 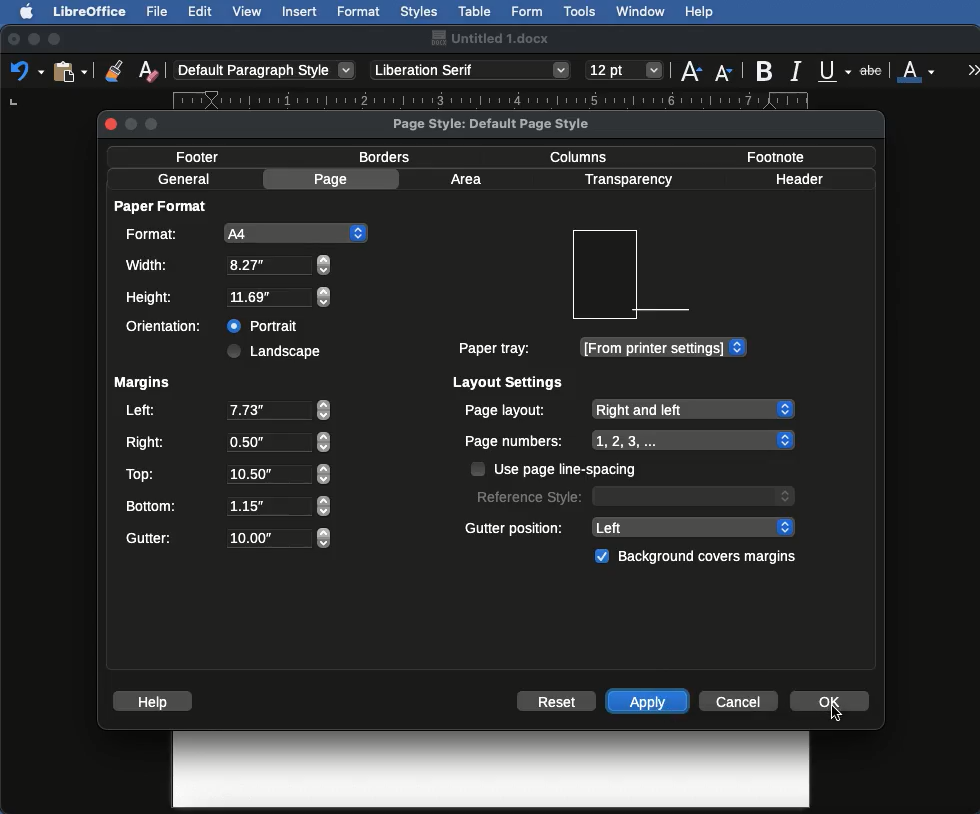 I want to click on Ruler, so click(x=508, y=100).